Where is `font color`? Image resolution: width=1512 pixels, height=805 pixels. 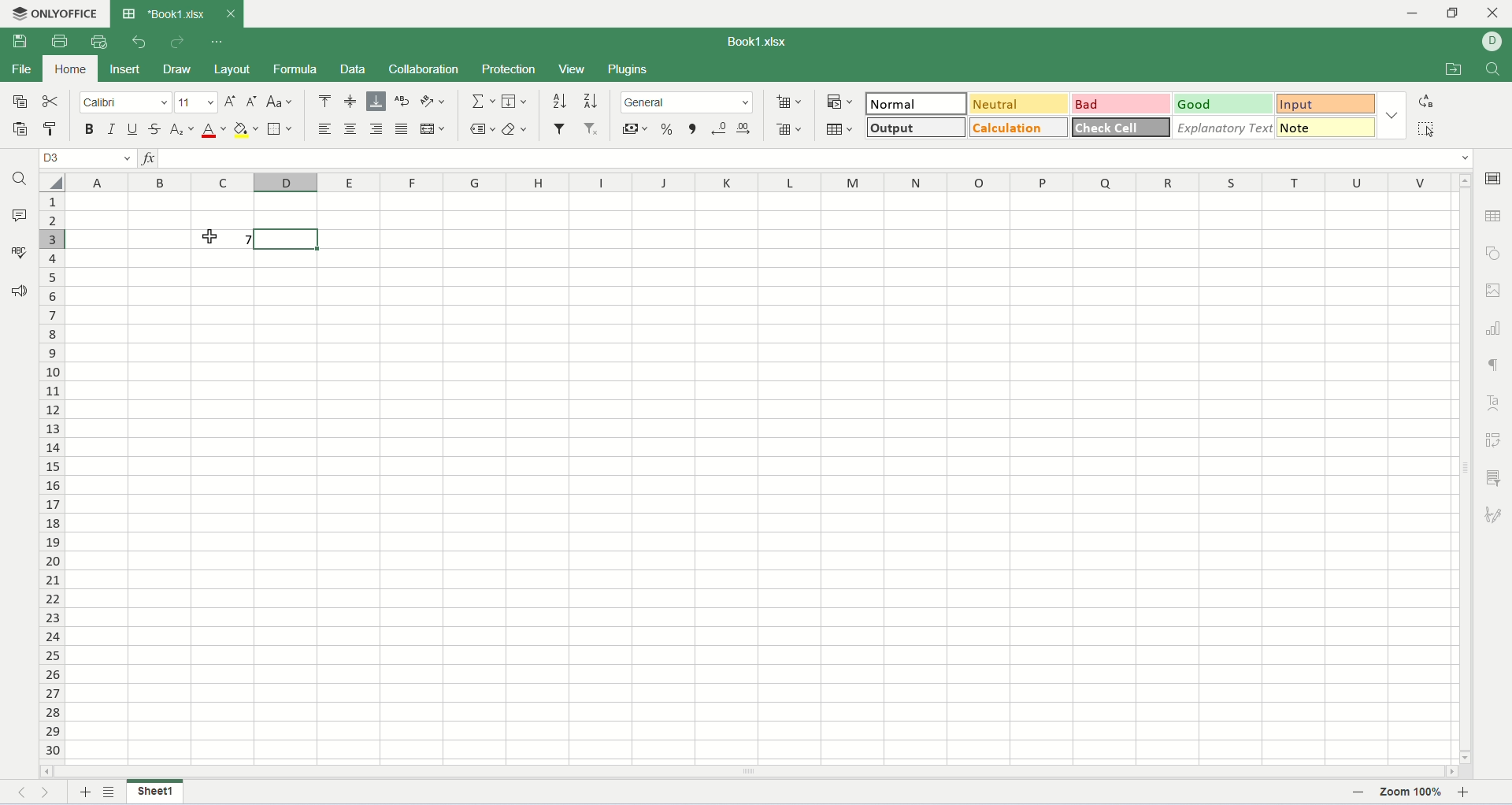
font color is located at coordinates (211, 130).